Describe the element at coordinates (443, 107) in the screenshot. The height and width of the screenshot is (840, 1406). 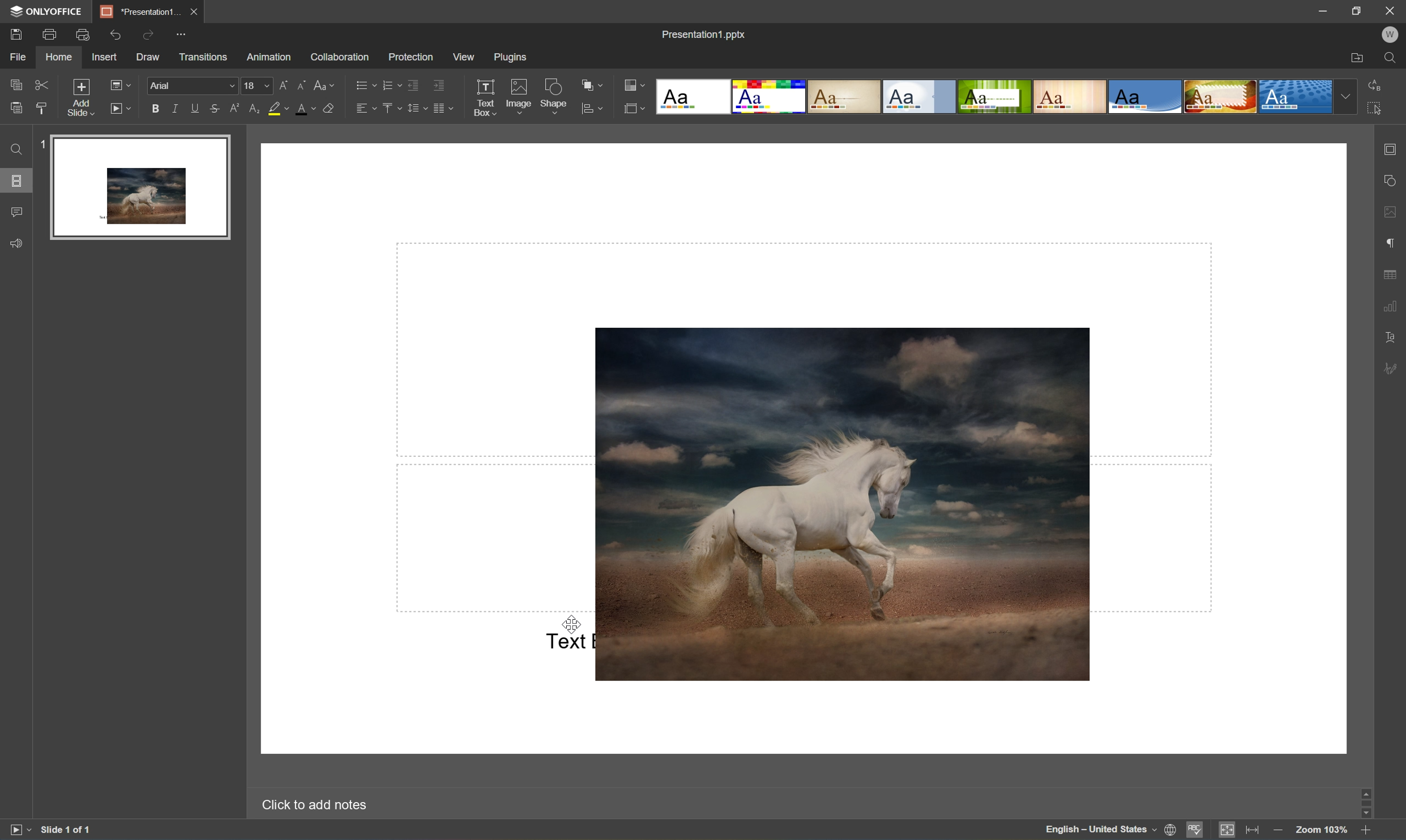
I see `Insert columns` at that location.